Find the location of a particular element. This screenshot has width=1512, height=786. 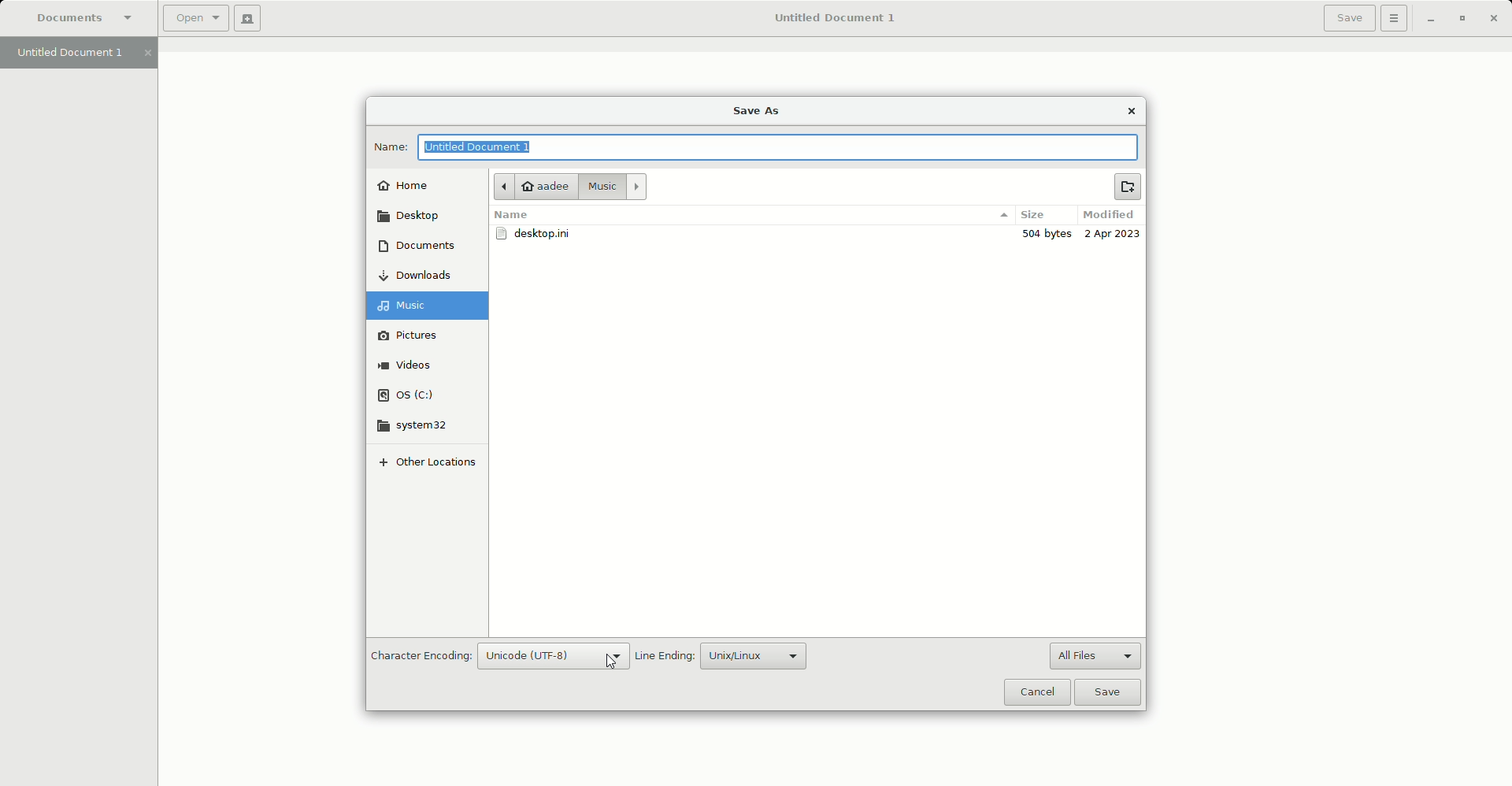

Minimize is located at coordinates (1430, 19).